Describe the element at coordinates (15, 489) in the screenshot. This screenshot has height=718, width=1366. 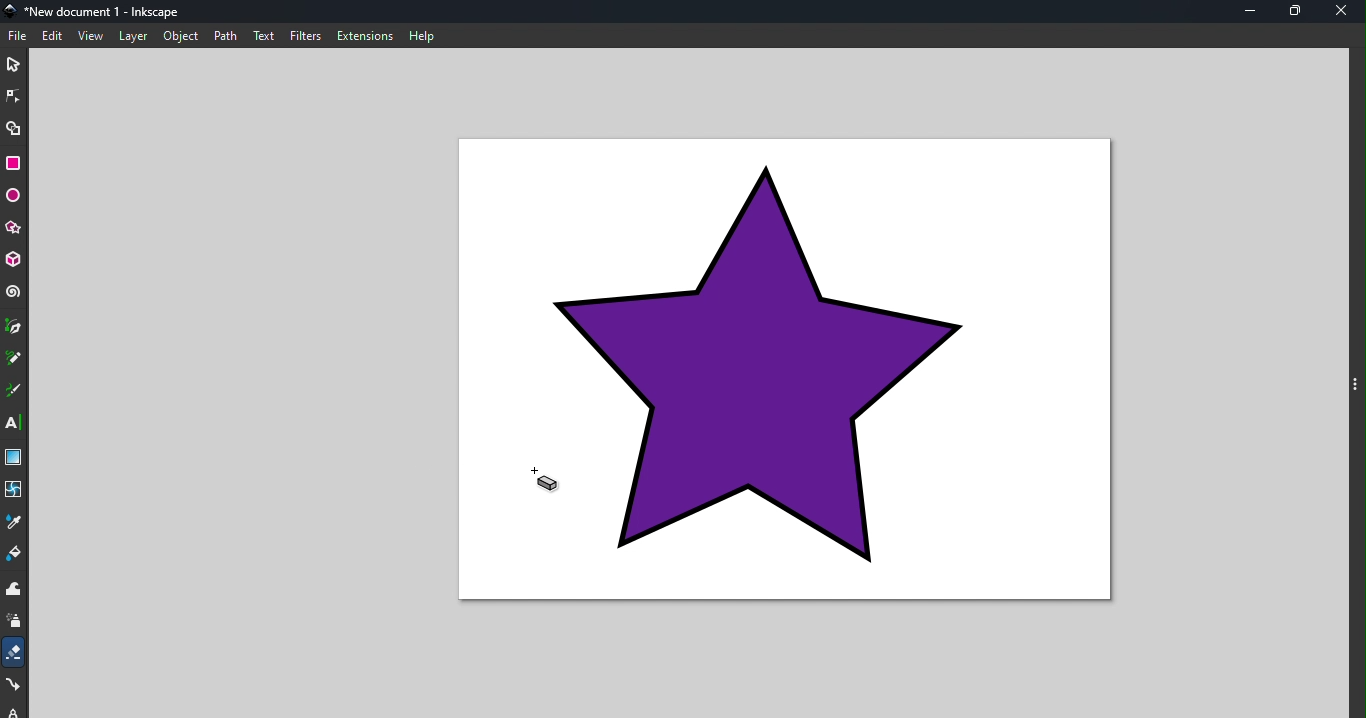
I see `mesh tool` at that location.